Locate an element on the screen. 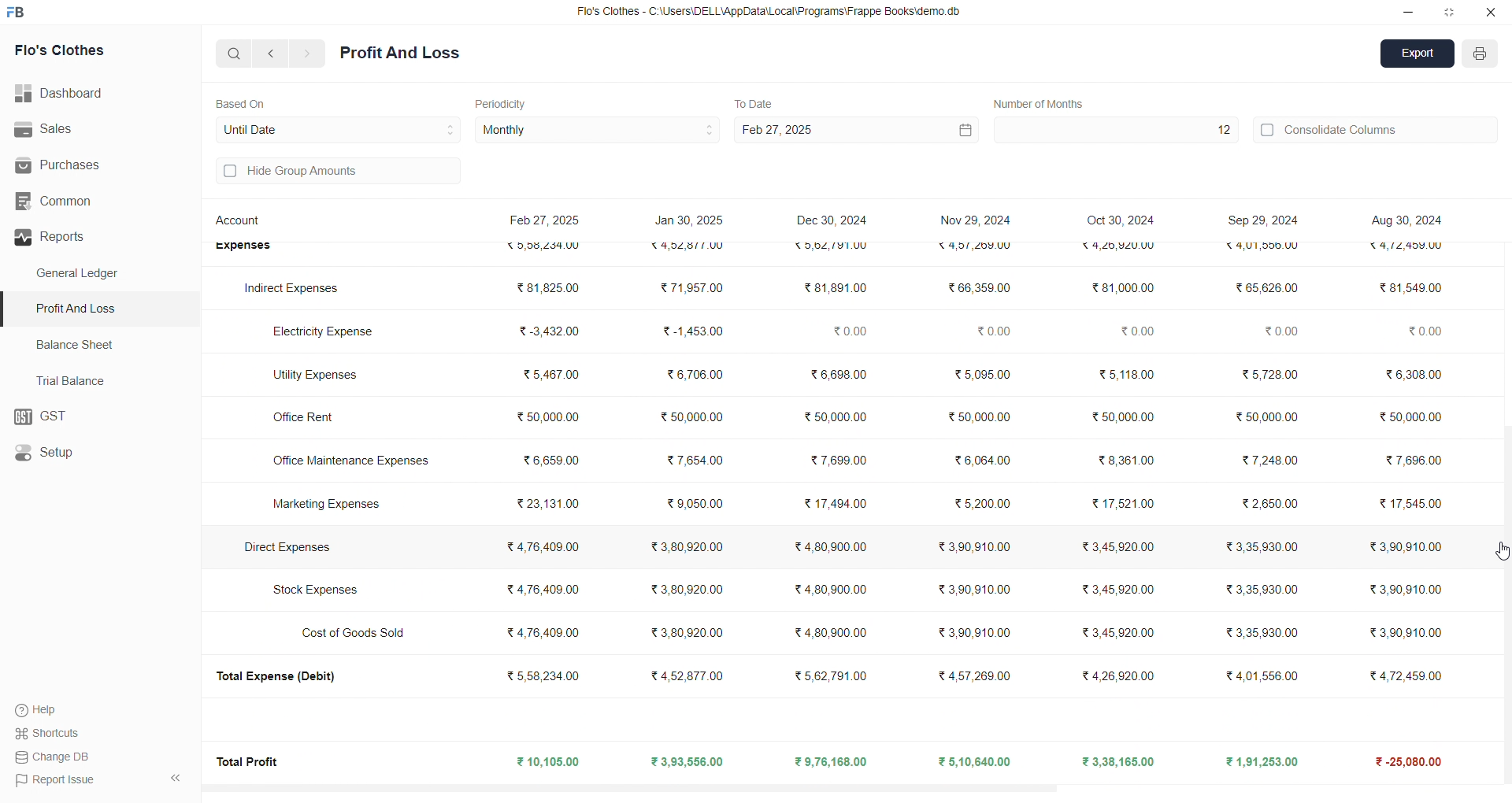 The image size is (1512, 803). search is located at coordinates (235, 53).